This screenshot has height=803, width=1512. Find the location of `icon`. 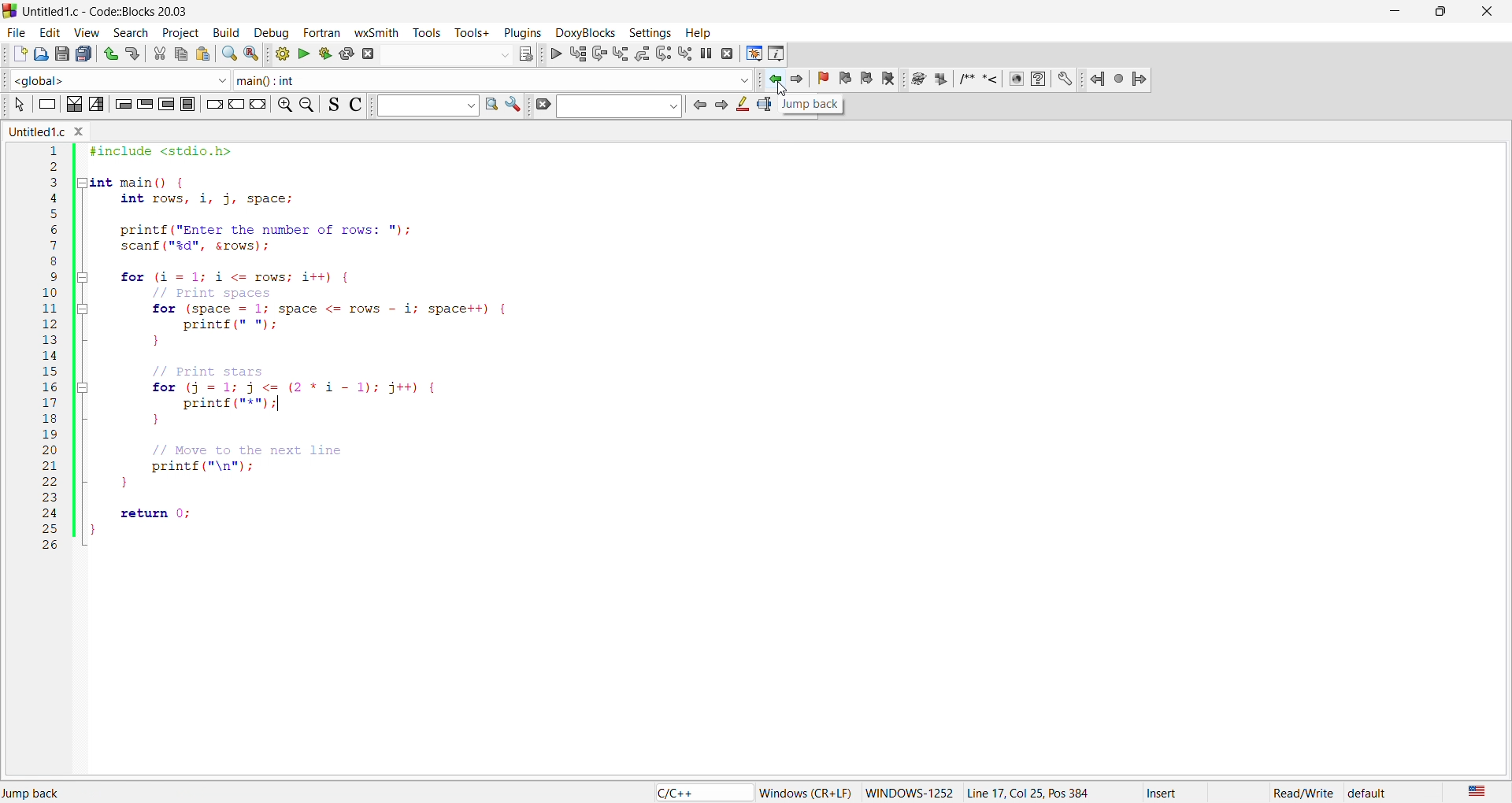

icon is located at coordinates (122, 108).